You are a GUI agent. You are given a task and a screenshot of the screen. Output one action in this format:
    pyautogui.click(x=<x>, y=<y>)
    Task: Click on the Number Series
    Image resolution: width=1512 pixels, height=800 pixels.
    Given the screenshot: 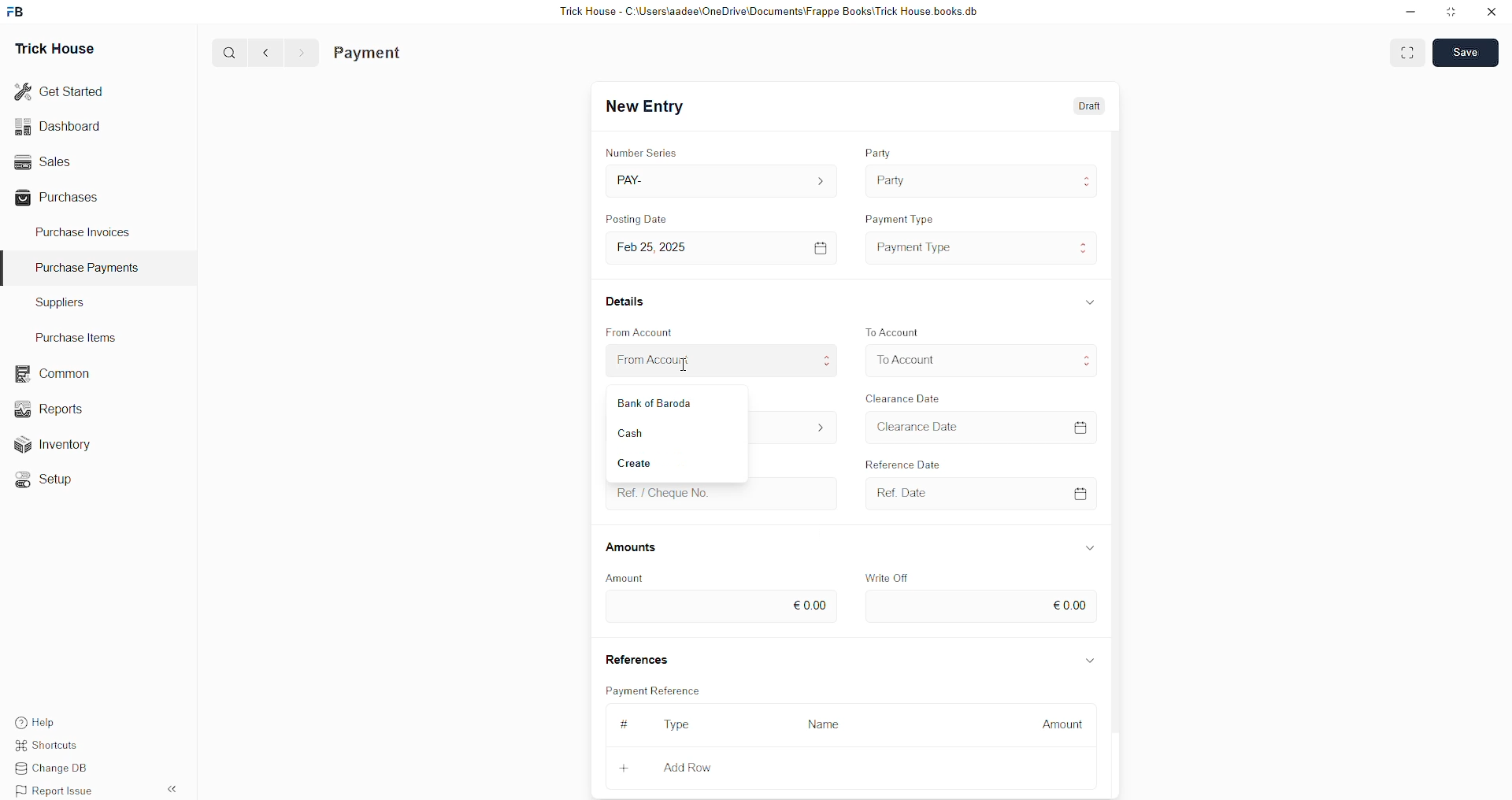 What is the action you would take?
    pyautogui.click(x=645, y=150)
    